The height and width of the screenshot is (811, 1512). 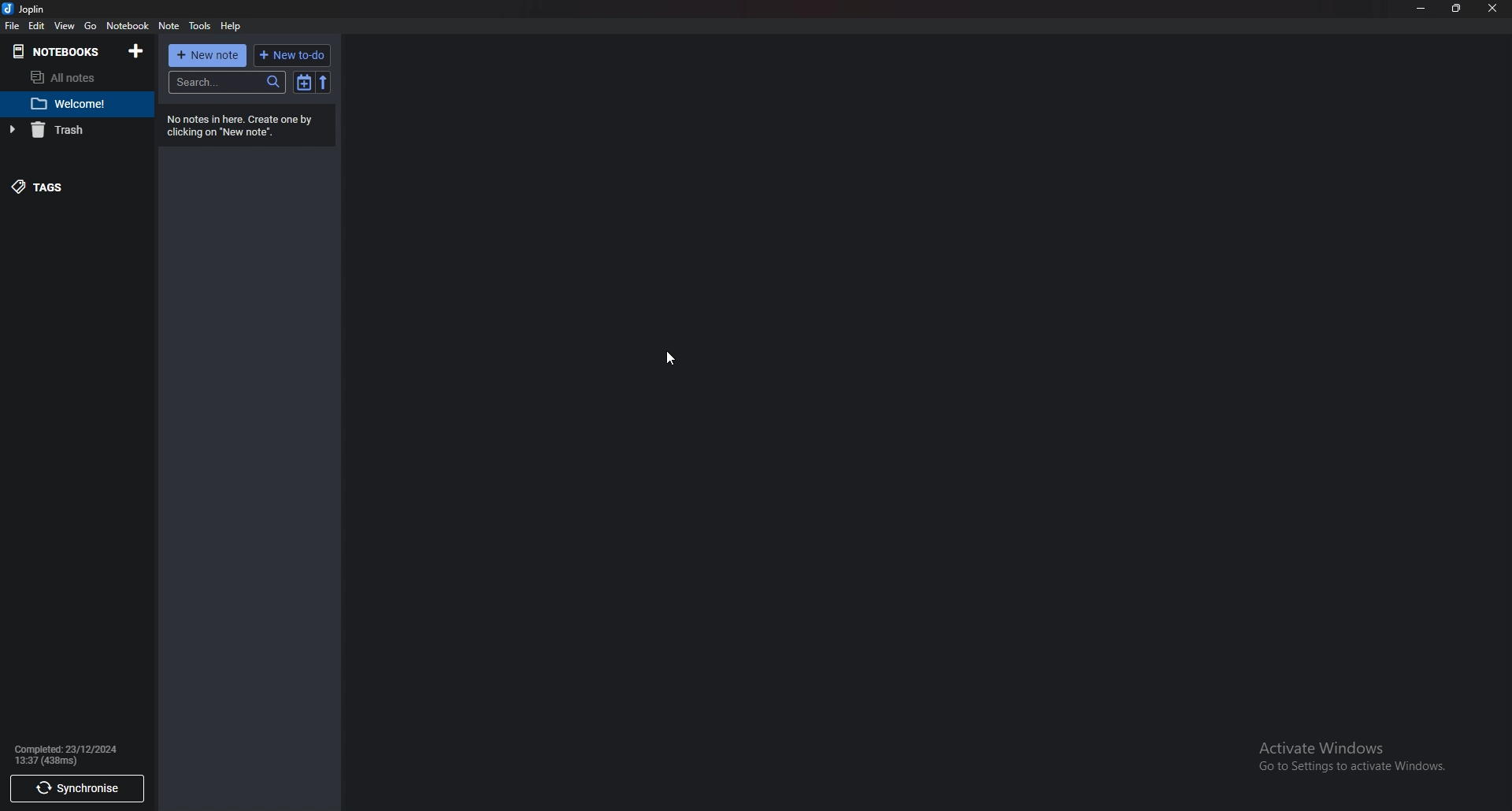 I want to click on Info, so click(x=243, y=125).